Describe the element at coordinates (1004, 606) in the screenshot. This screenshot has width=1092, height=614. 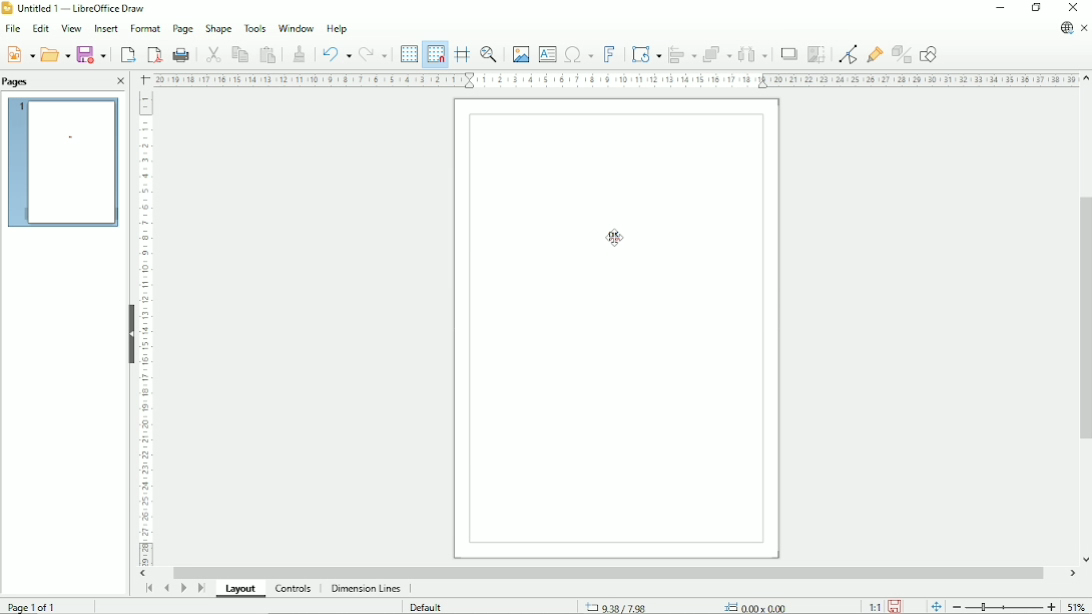
I see `Zoom out/in` at that location.